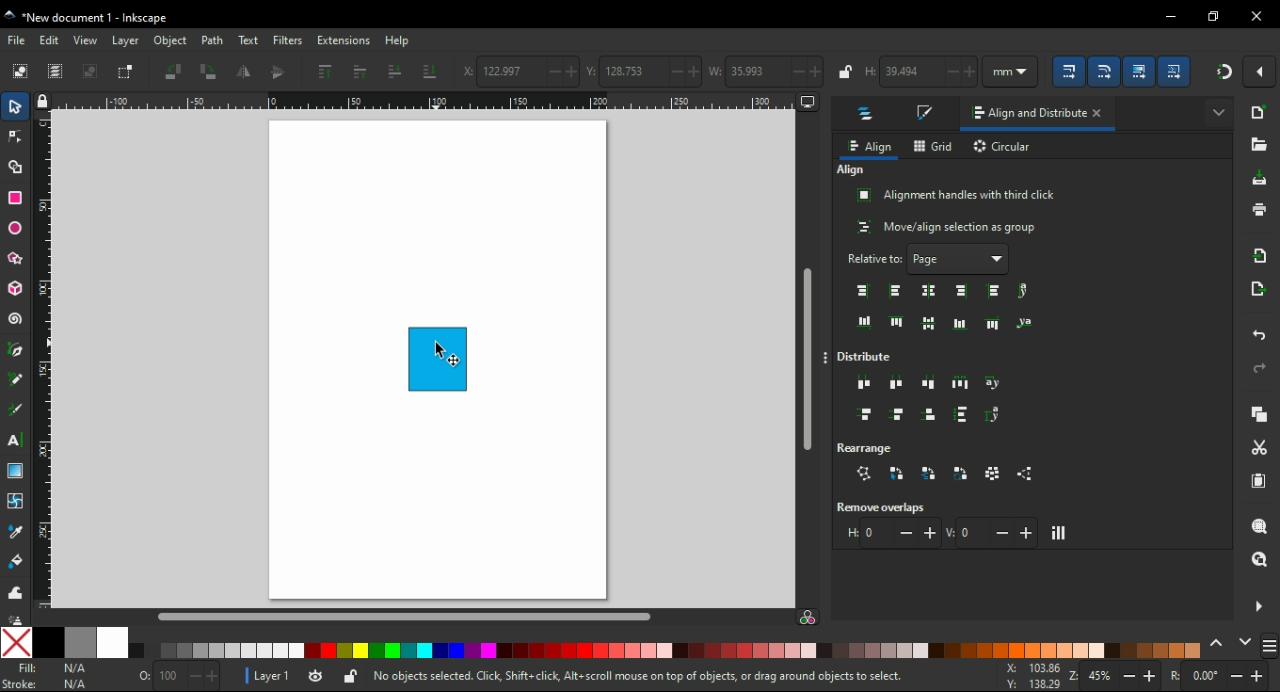 The width and height of the screenshot is (1280, 692). What do you see at coordinates (1177, 72) in the screenshot?
I see `move patterns along with the objects` at bounding box center [1177, 72].